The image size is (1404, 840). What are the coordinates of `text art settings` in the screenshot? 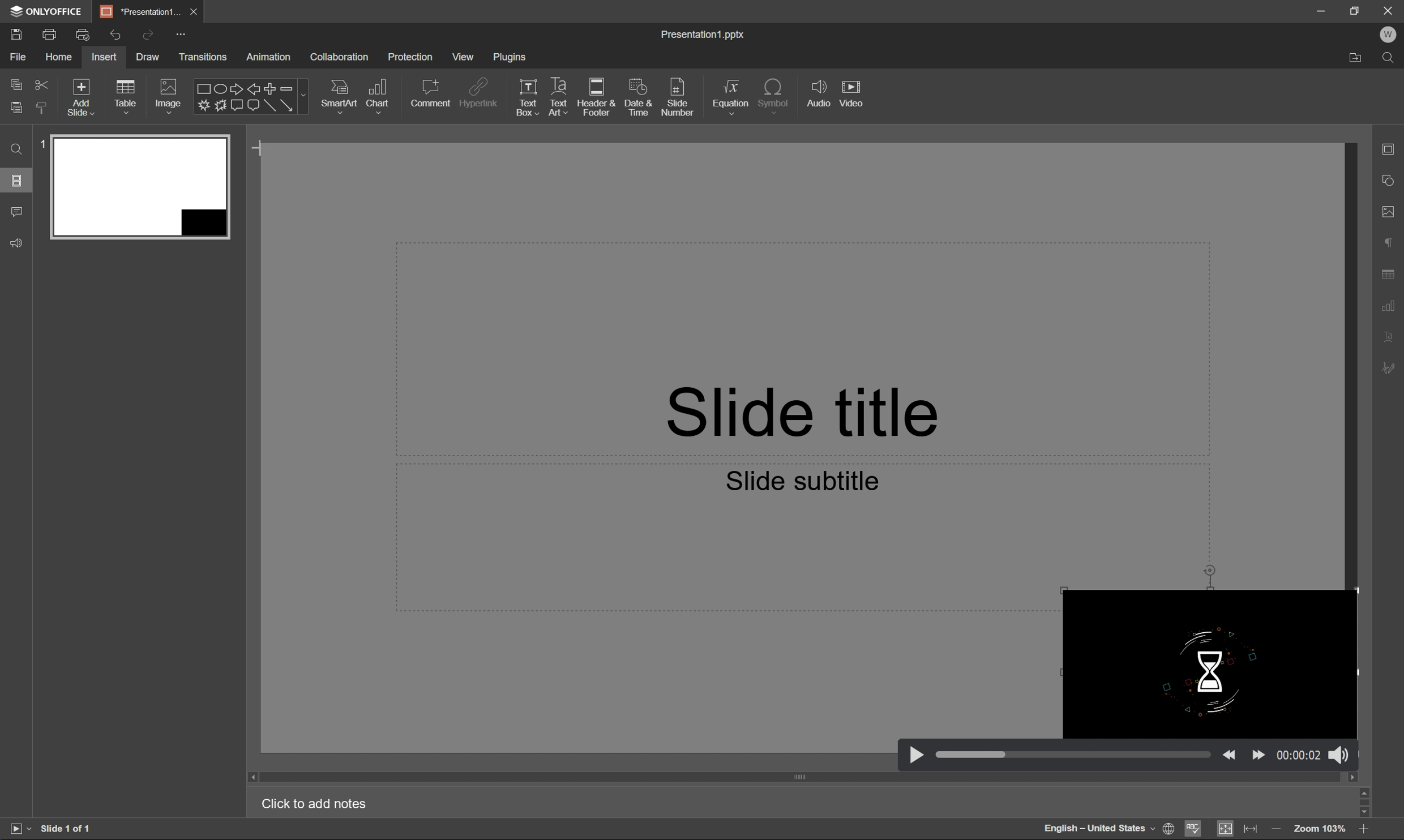 It's located at (1392, 337).